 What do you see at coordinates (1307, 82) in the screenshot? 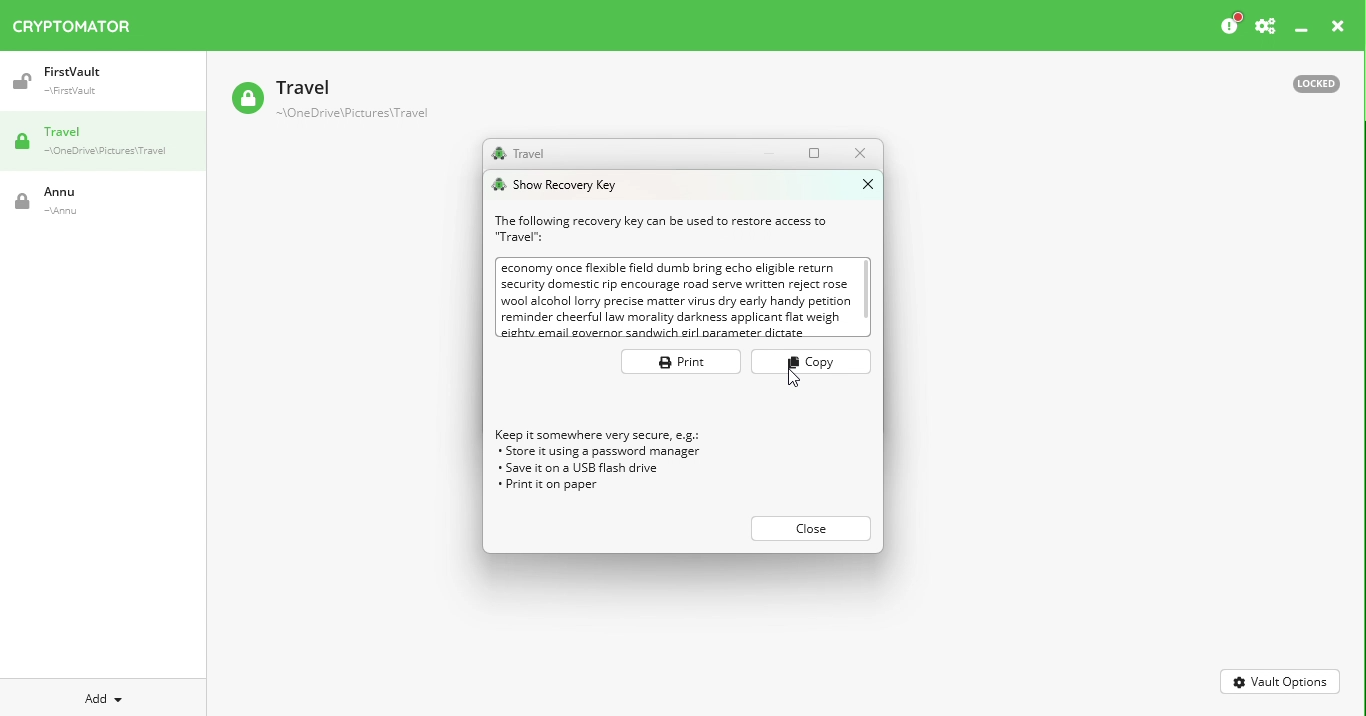
I see `Locked` at bounding box center [1307, 82].